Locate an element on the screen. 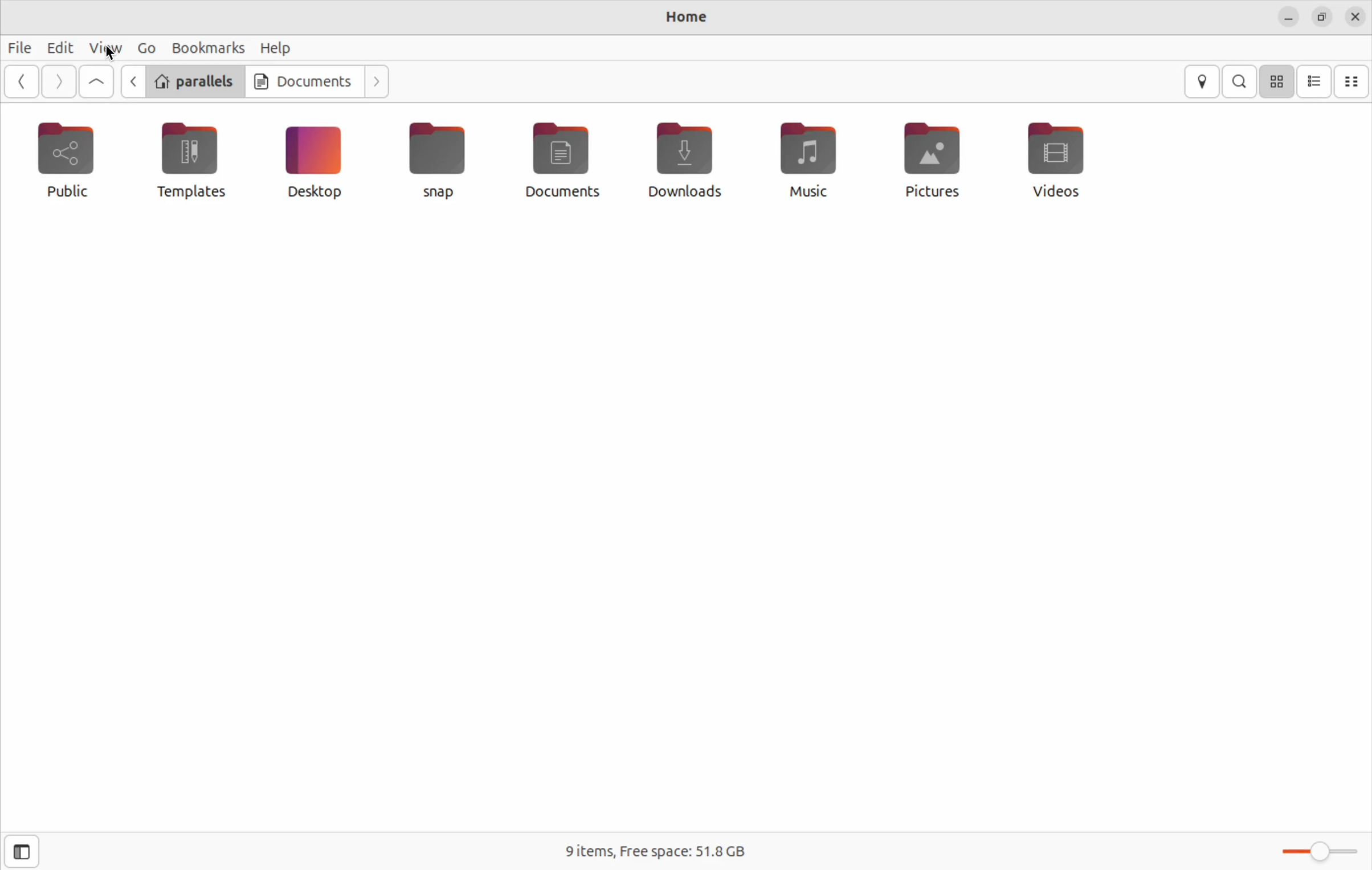 This screenshot has height=870, width=1372. Home is located at coordinates (687, 19).